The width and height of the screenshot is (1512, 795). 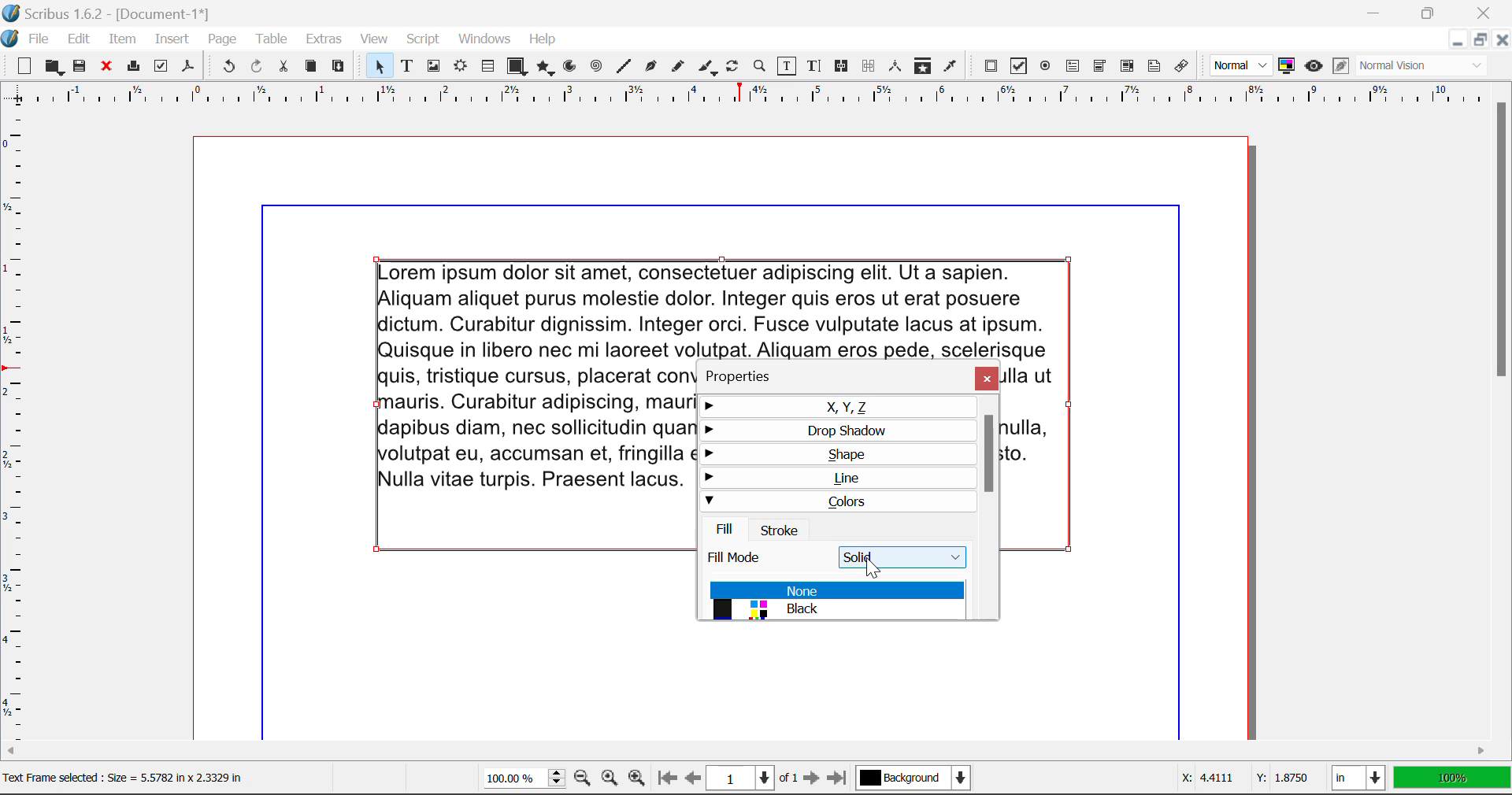 I want to click on Preview Mode, so click(x=1314, y=66).